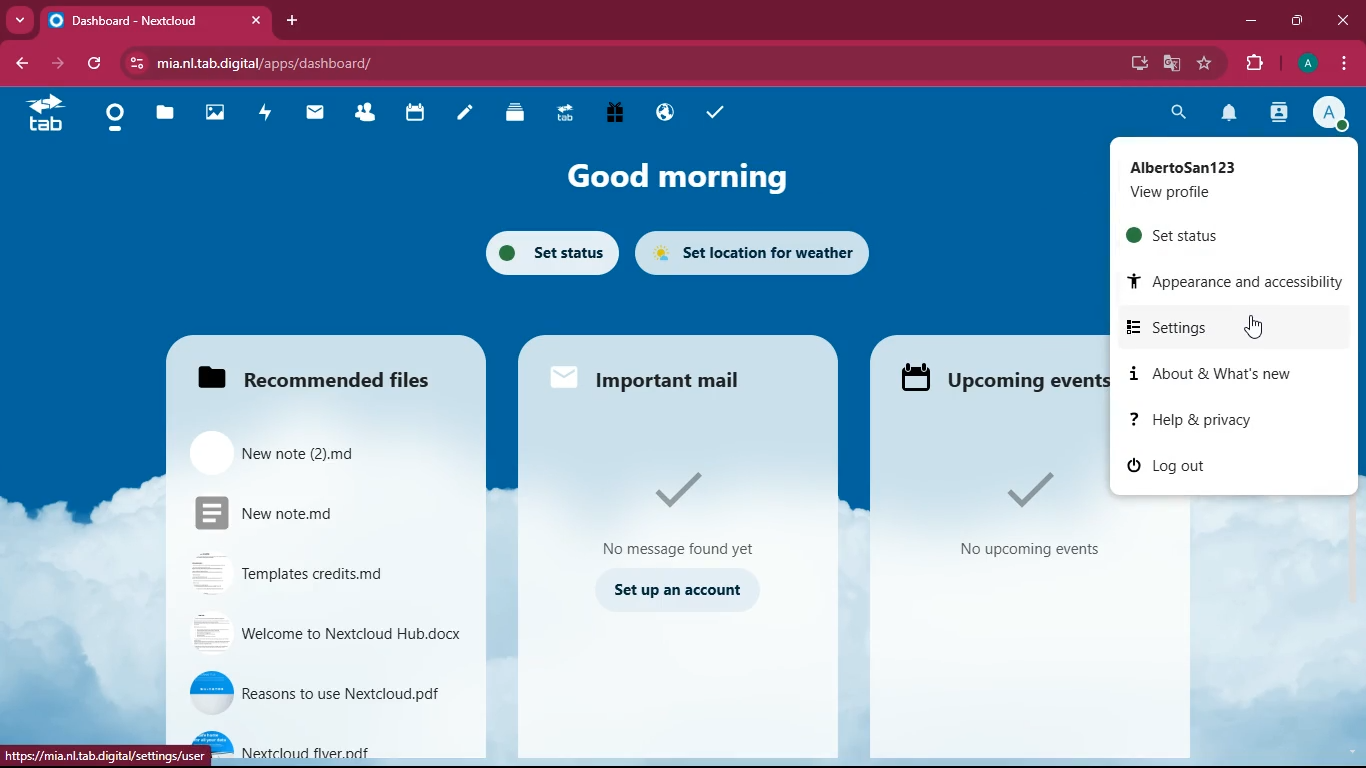 The height and width of the screenshot is (768, 1366). I want to click on options, so click(1346, 65).